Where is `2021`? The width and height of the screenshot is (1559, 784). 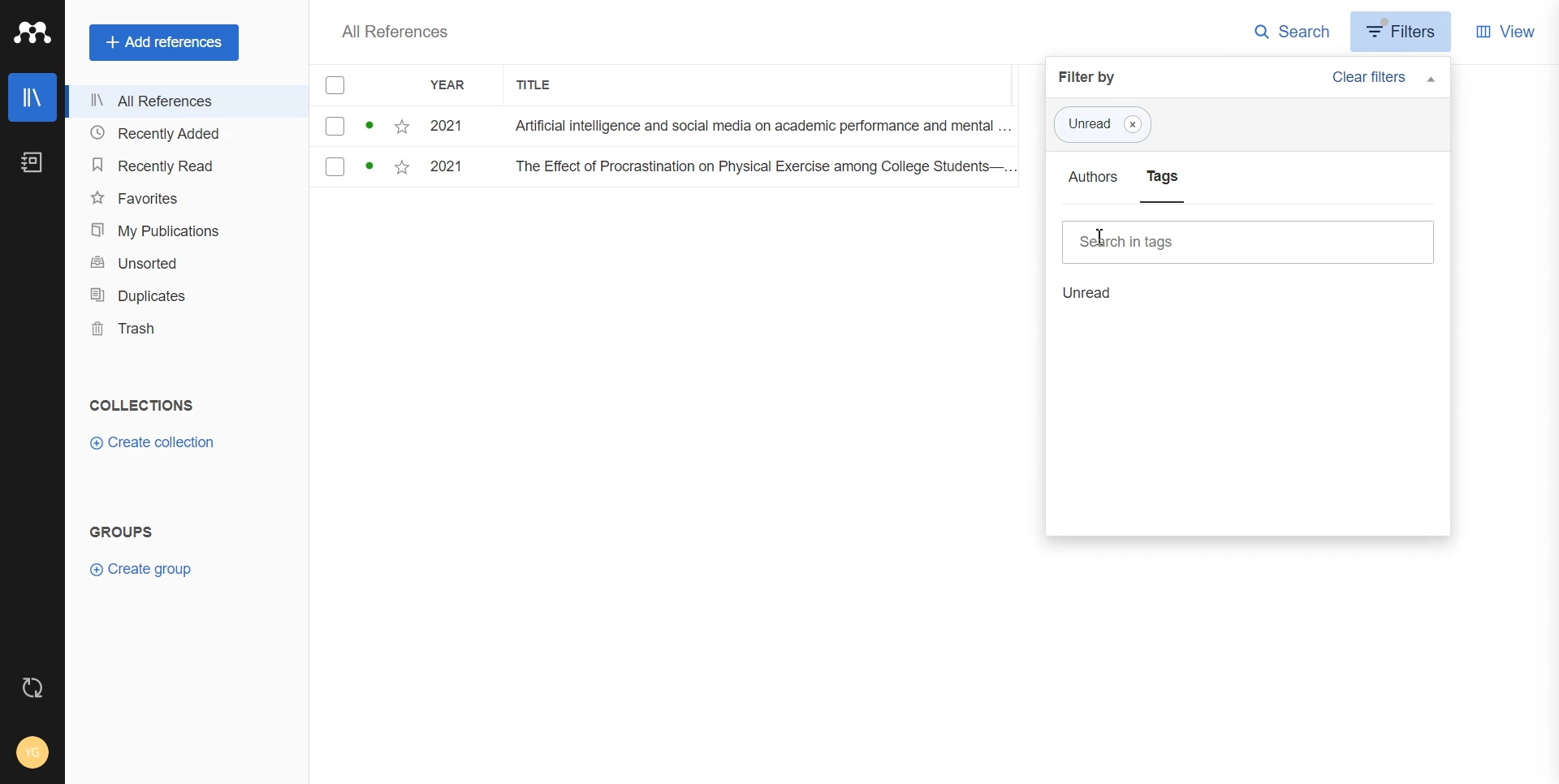 2021 is located at coordinates (453, 170).